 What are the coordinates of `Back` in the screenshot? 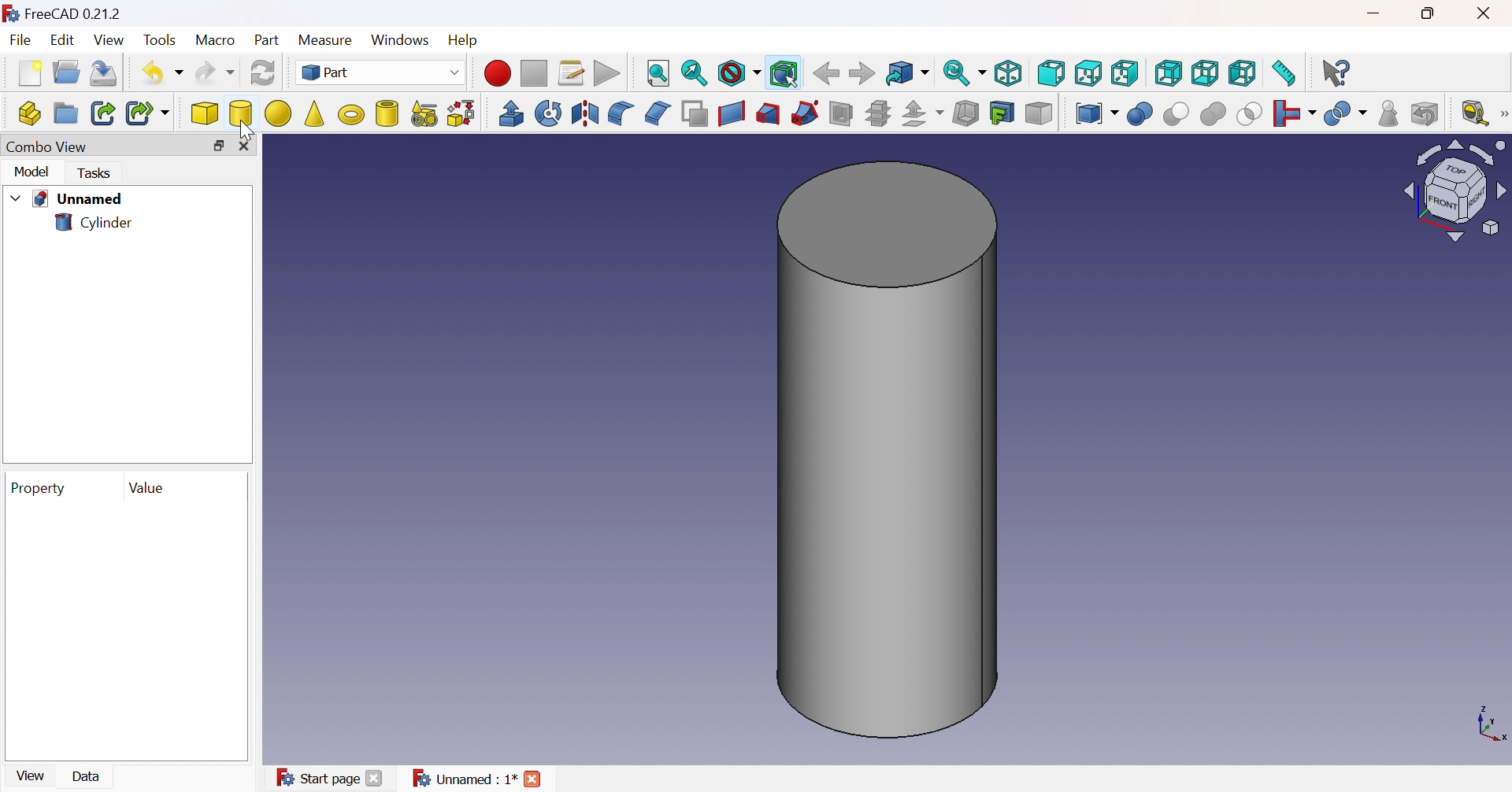 It's located at (825, 74).